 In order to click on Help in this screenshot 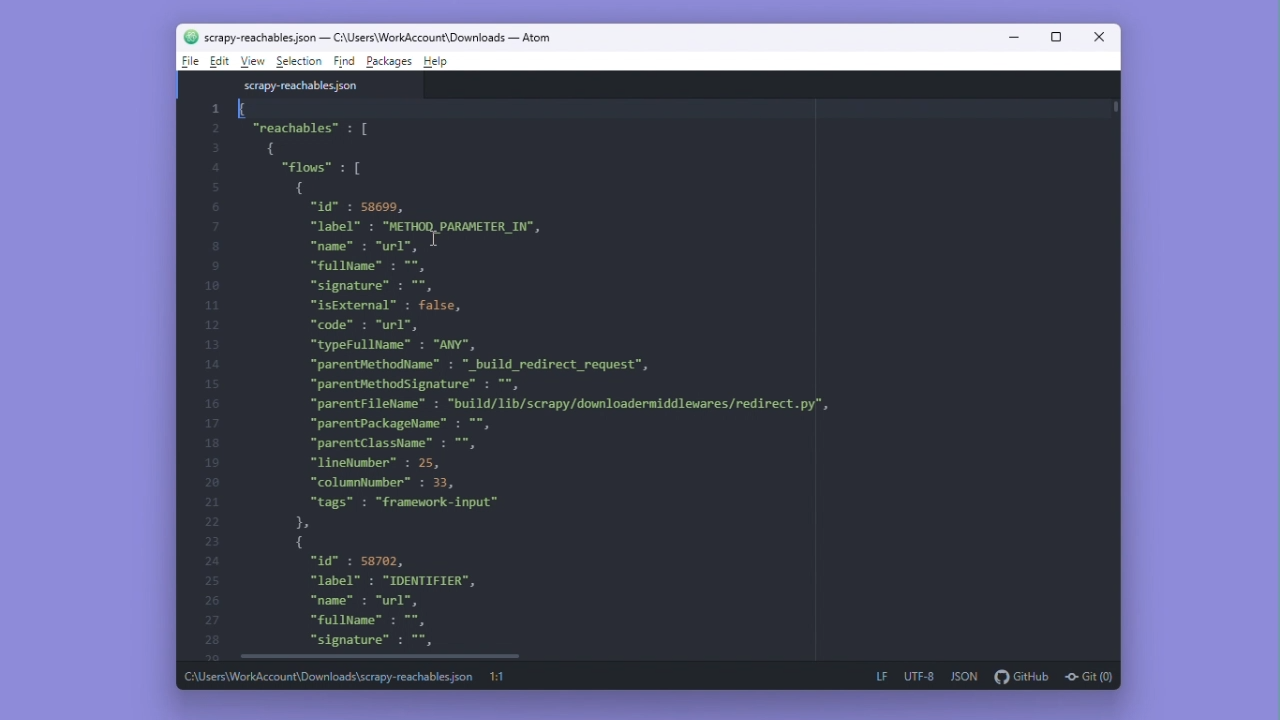, I will do `click(437, 64)`.